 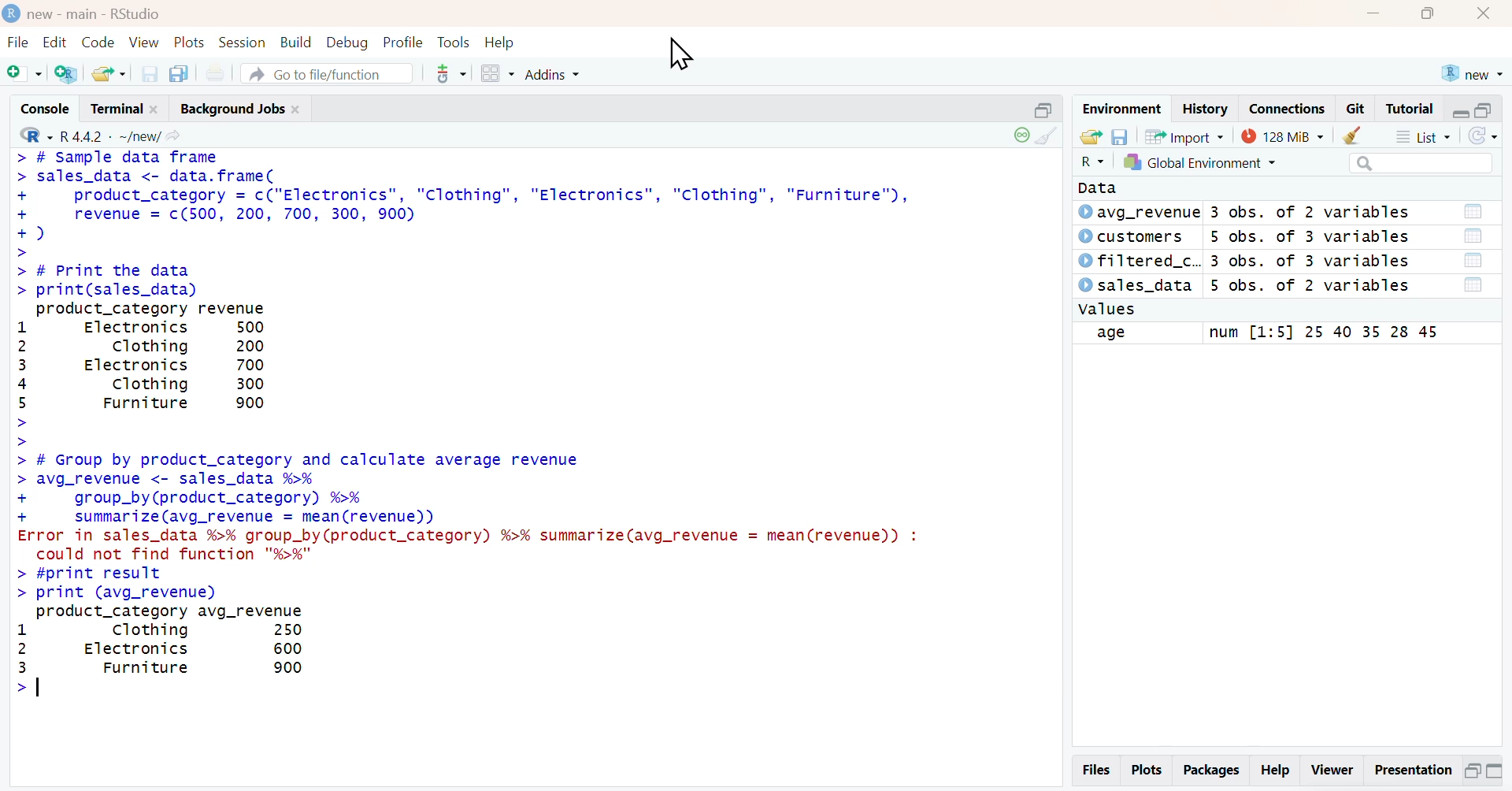 I want to click on Logo, so click(x=12, y=13).